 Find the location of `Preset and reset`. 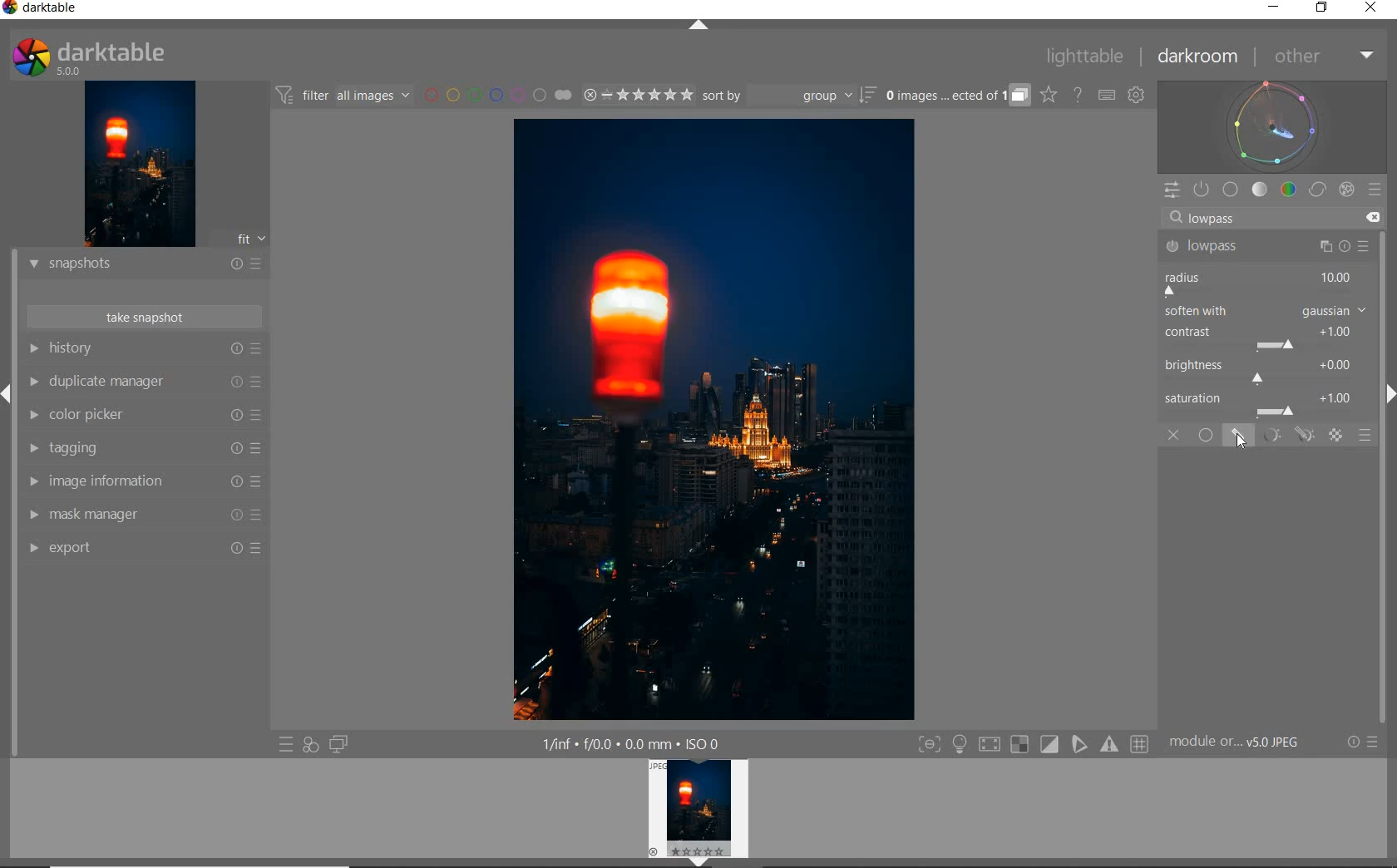

Preset and reset is located at coordinates (265, 547).